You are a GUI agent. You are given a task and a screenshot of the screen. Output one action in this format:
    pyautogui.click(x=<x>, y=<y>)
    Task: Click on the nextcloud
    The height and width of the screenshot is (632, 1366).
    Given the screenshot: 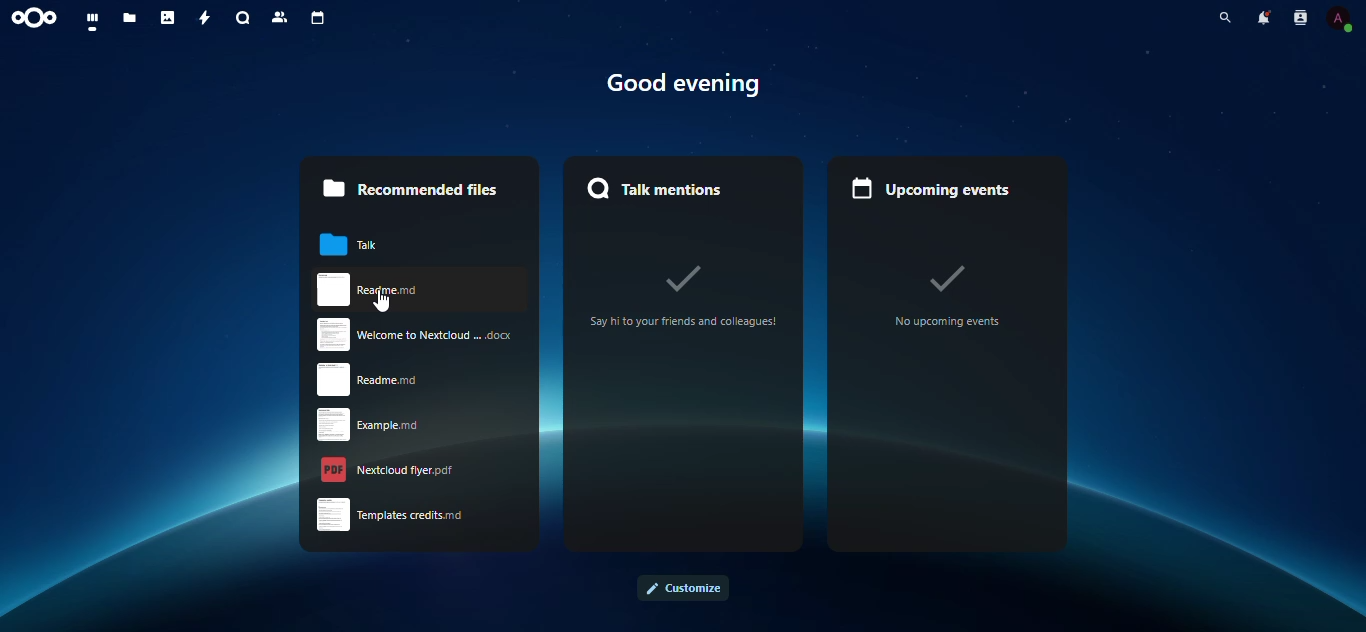 What is the action you would take?
    pyautogui.click(x=39, y=18)
    